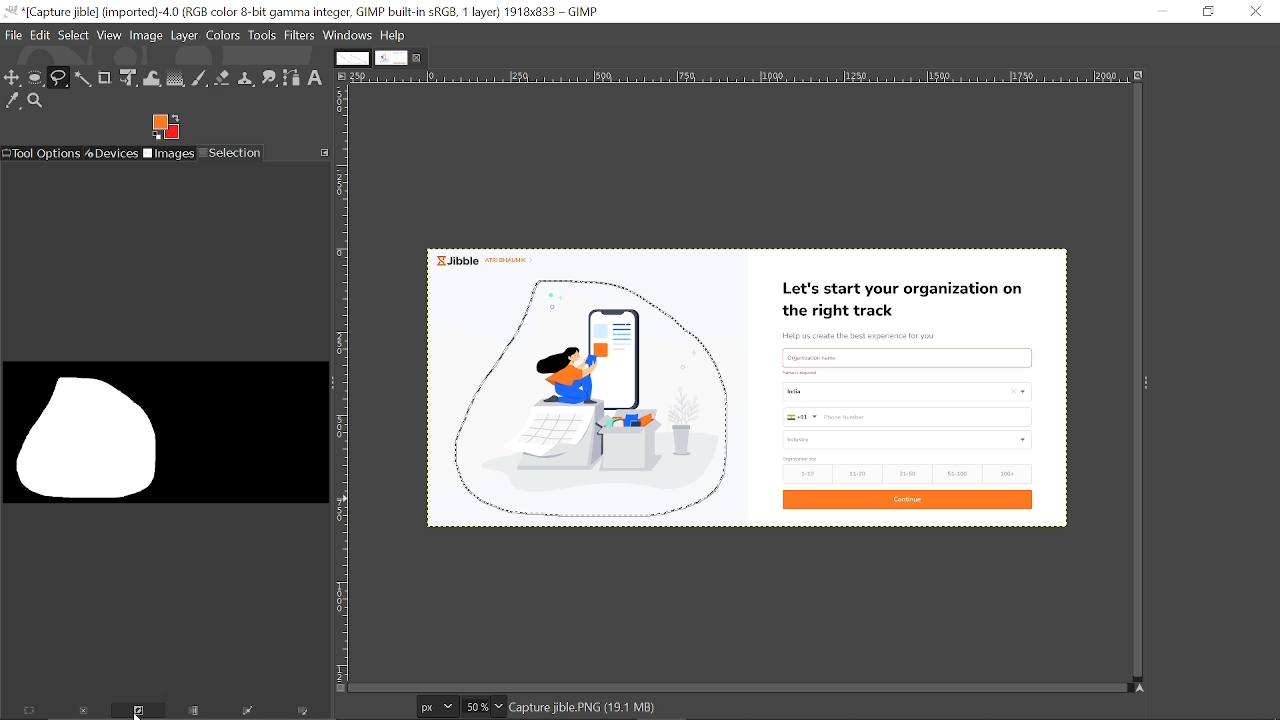  I want to click on Invert this selection, so click(130, 715).